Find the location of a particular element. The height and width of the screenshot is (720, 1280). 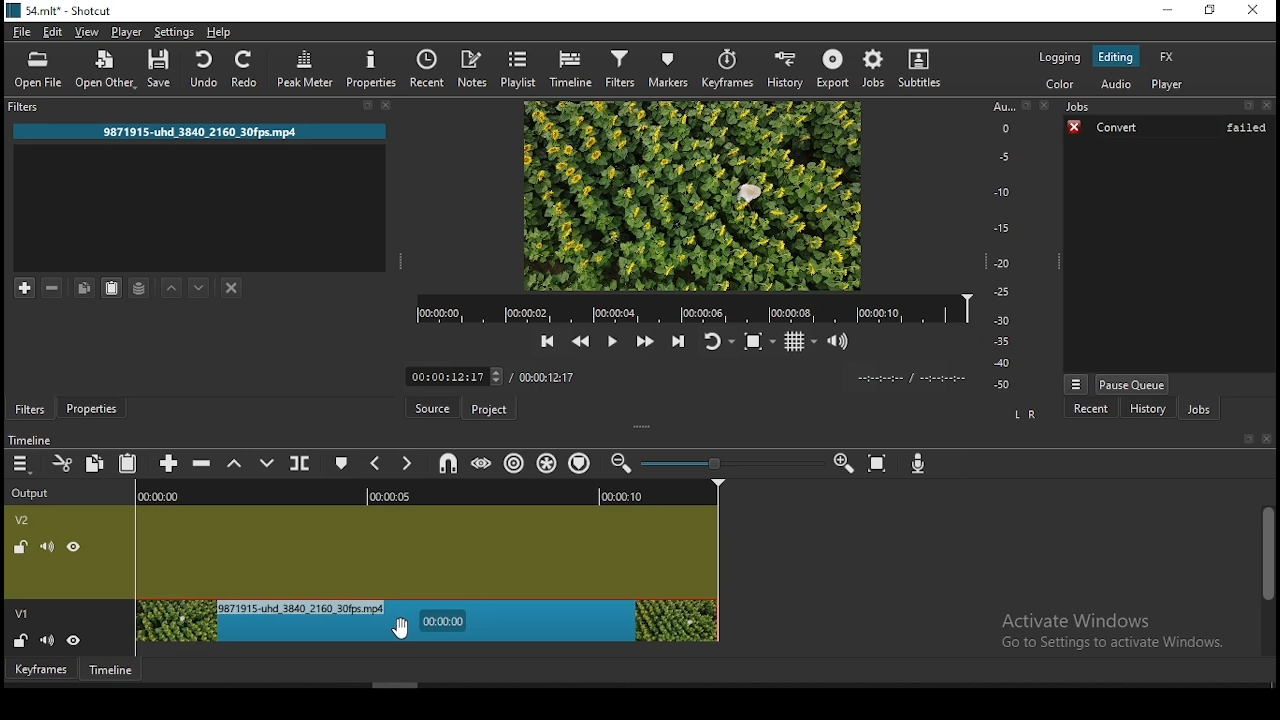

play/pause is located at coordinates (612, 341).